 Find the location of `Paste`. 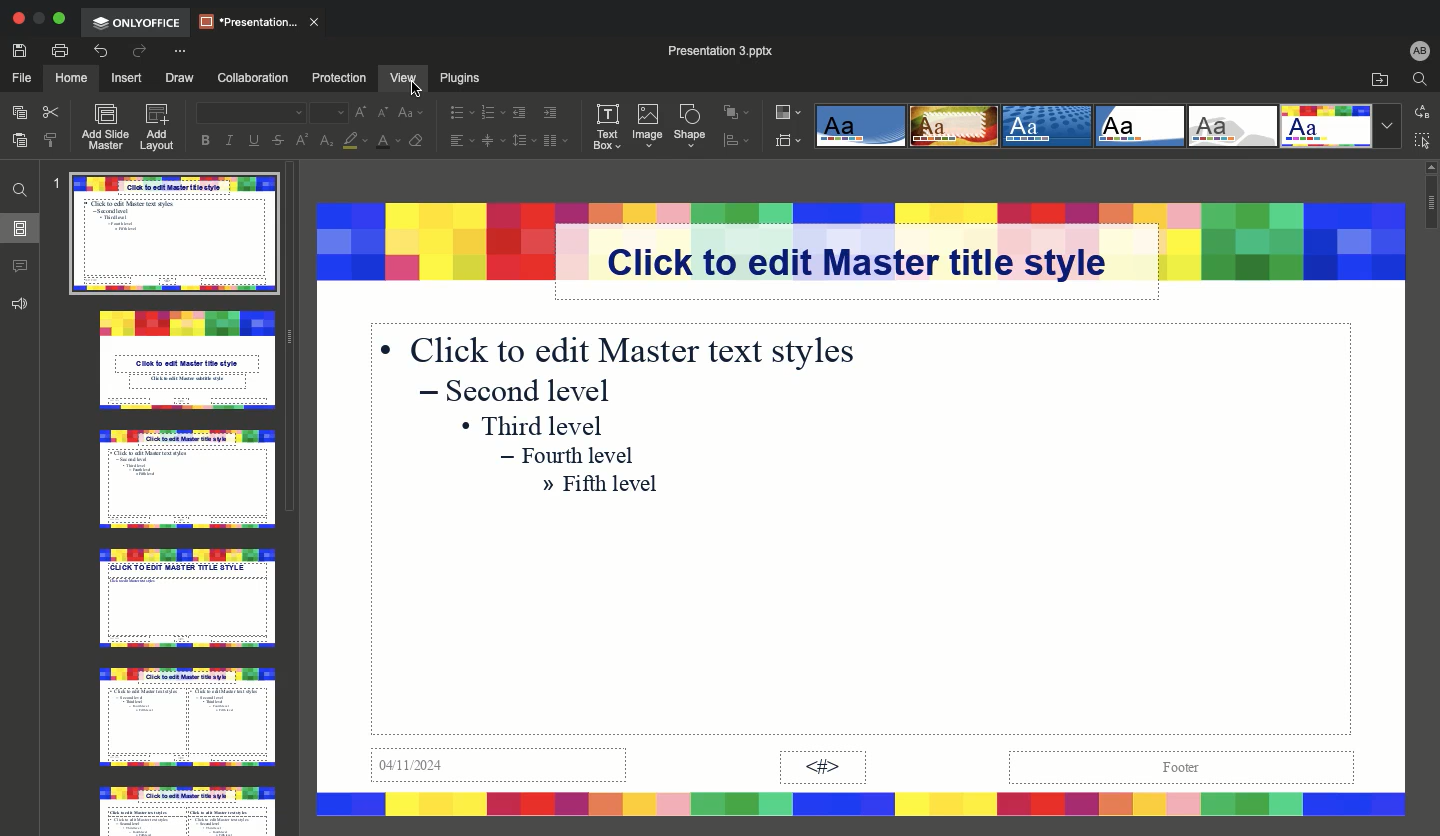

Paste is located at coordinates (21, 142).